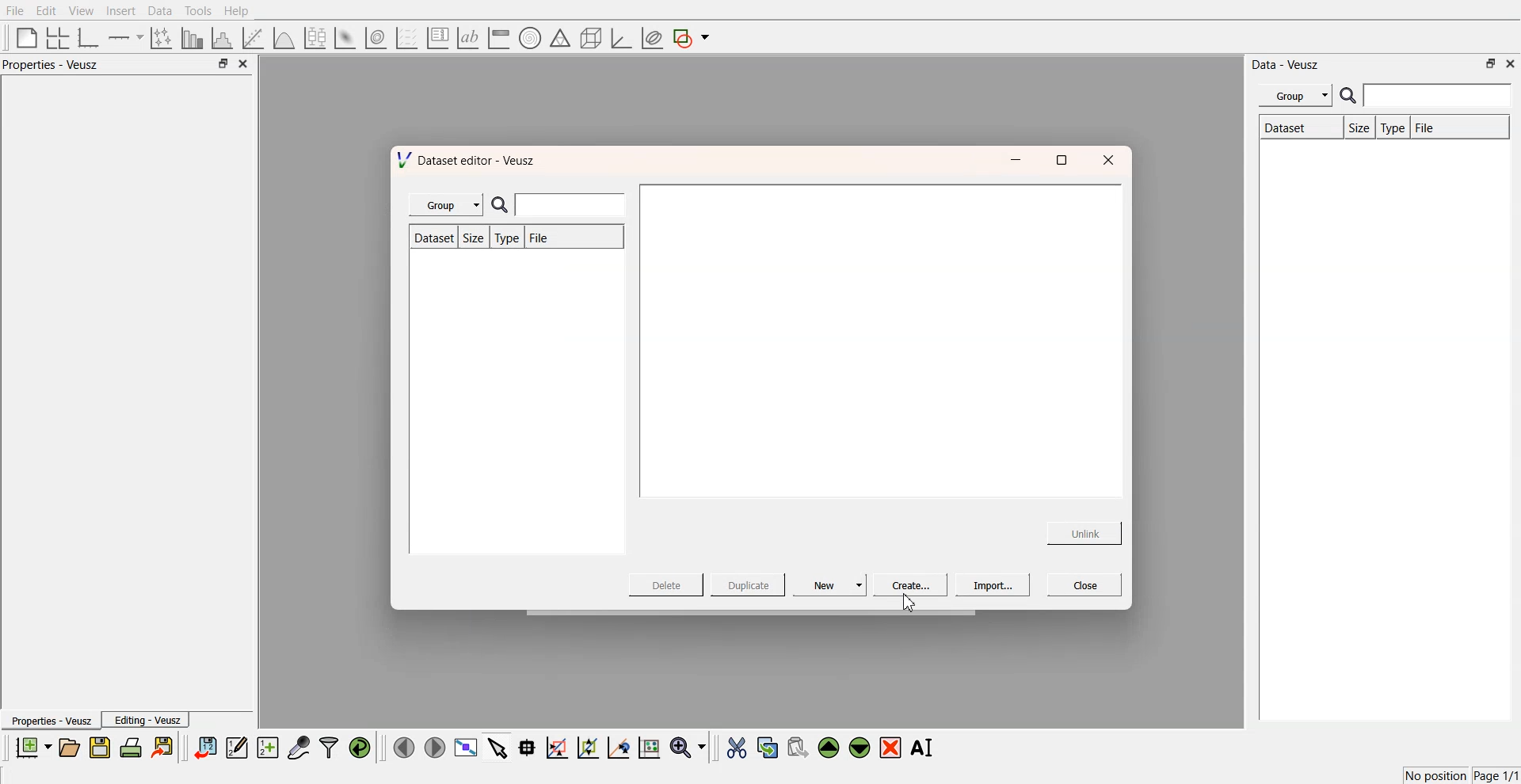 This screenshot has height=784, width=1521. What do you see at coordinates (160, 37) in the screenshot?
I see `plot points with non-orthogonal axes` at bounding box center [160, 37].